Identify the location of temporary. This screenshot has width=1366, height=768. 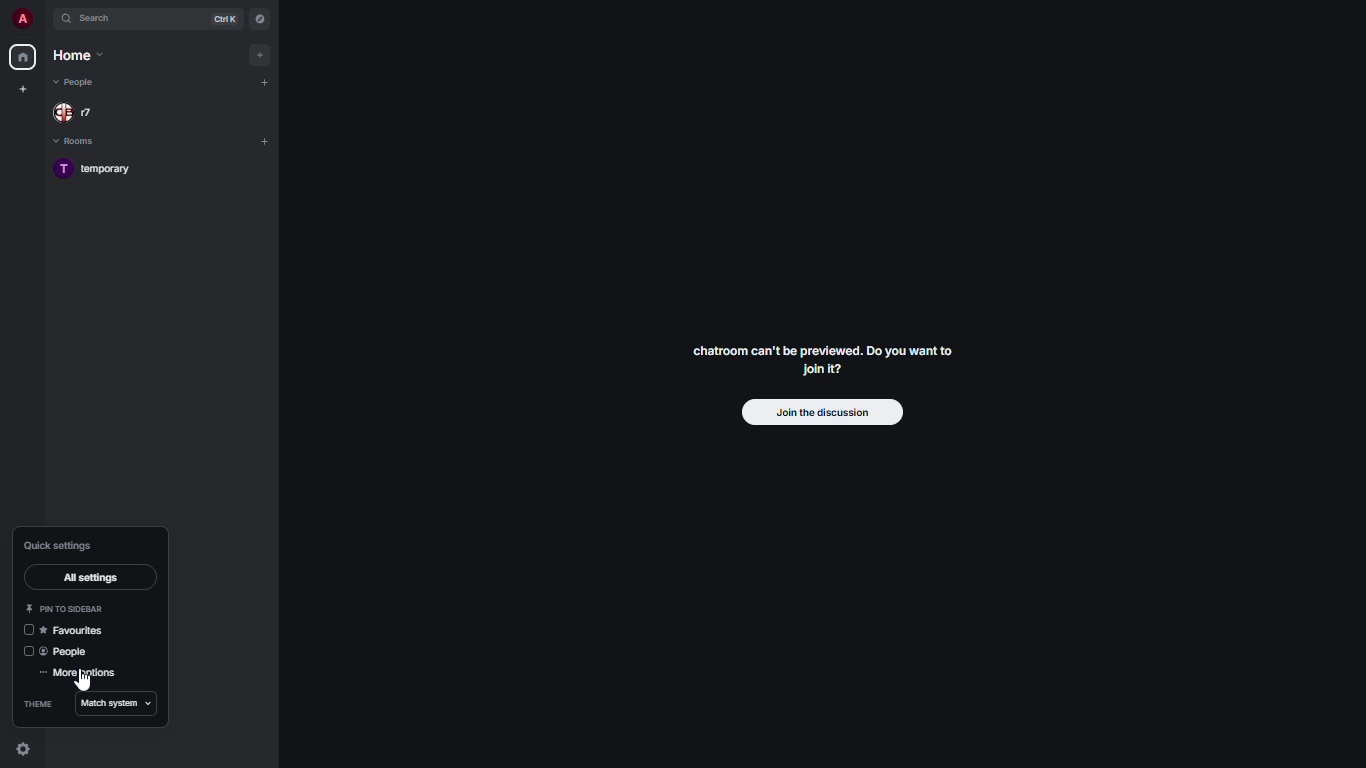
(100, 168).